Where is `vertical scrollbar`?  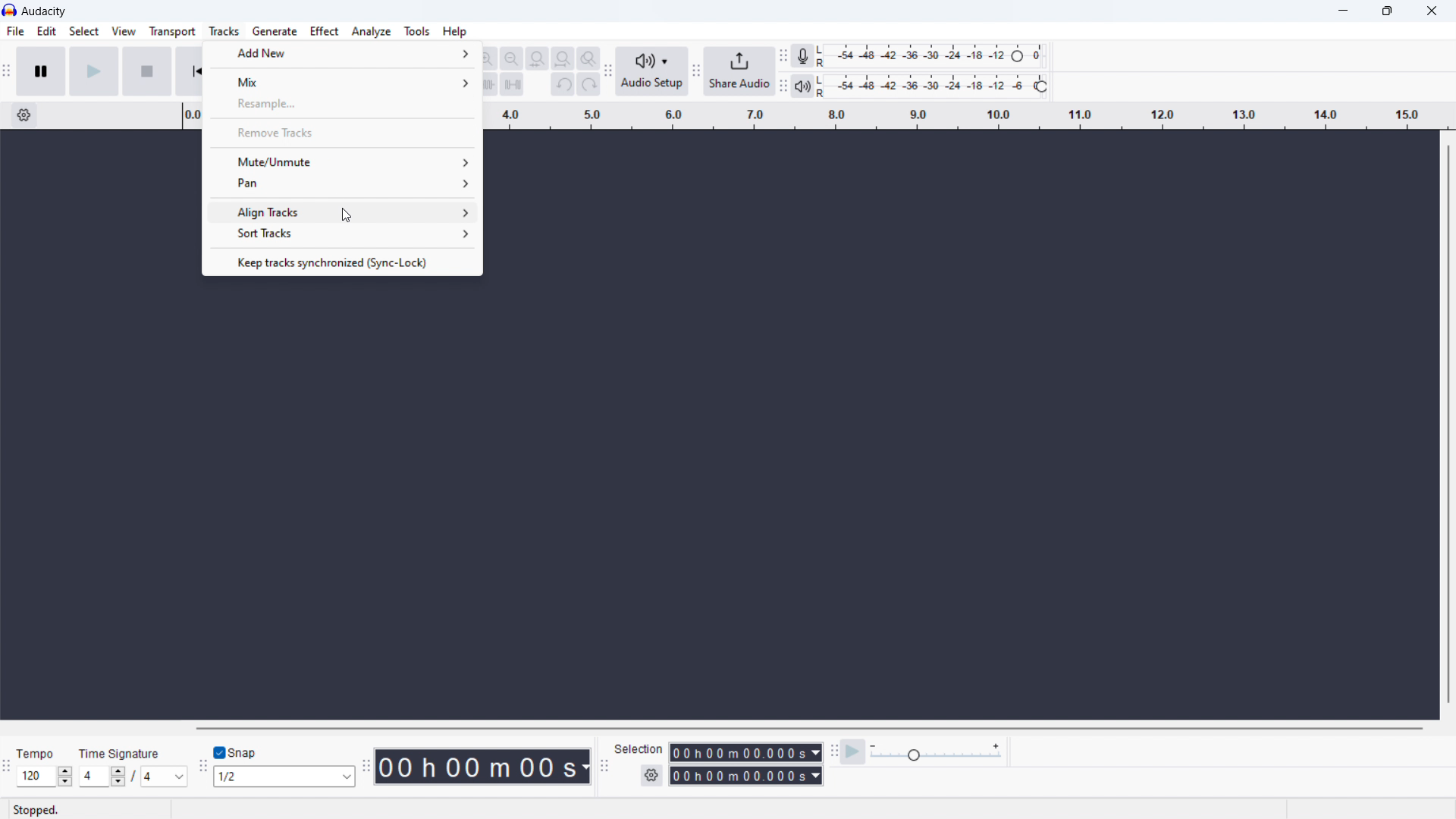 vertical scrollbar is located at coordinates (1449, 424).